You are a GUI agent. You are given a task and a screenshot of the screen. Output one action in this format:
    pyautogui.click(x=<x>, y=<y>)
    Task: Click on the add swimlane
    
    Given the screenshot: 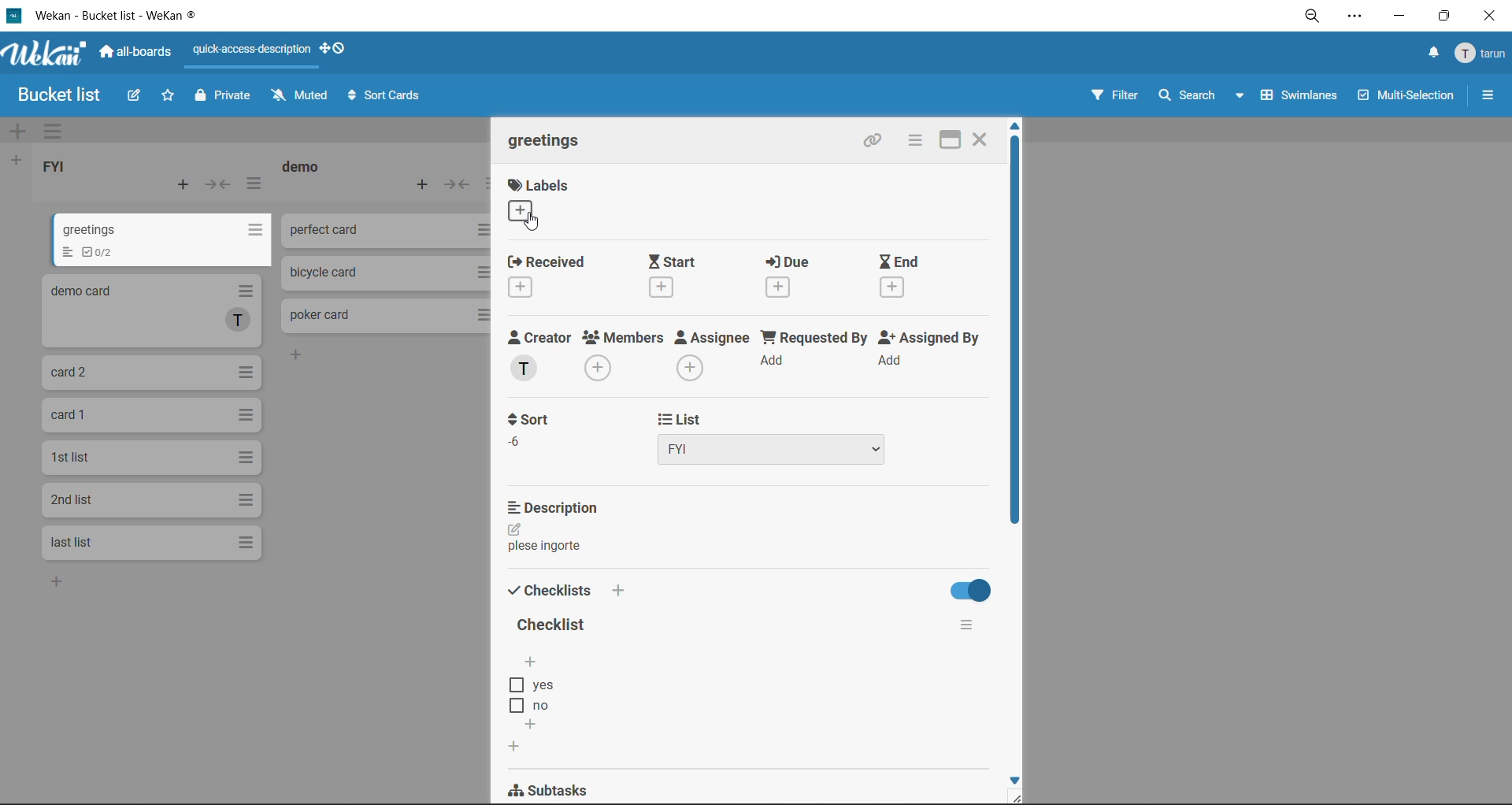 What is the action you would take?
    pyautogui.click(x=20, y=132)
    